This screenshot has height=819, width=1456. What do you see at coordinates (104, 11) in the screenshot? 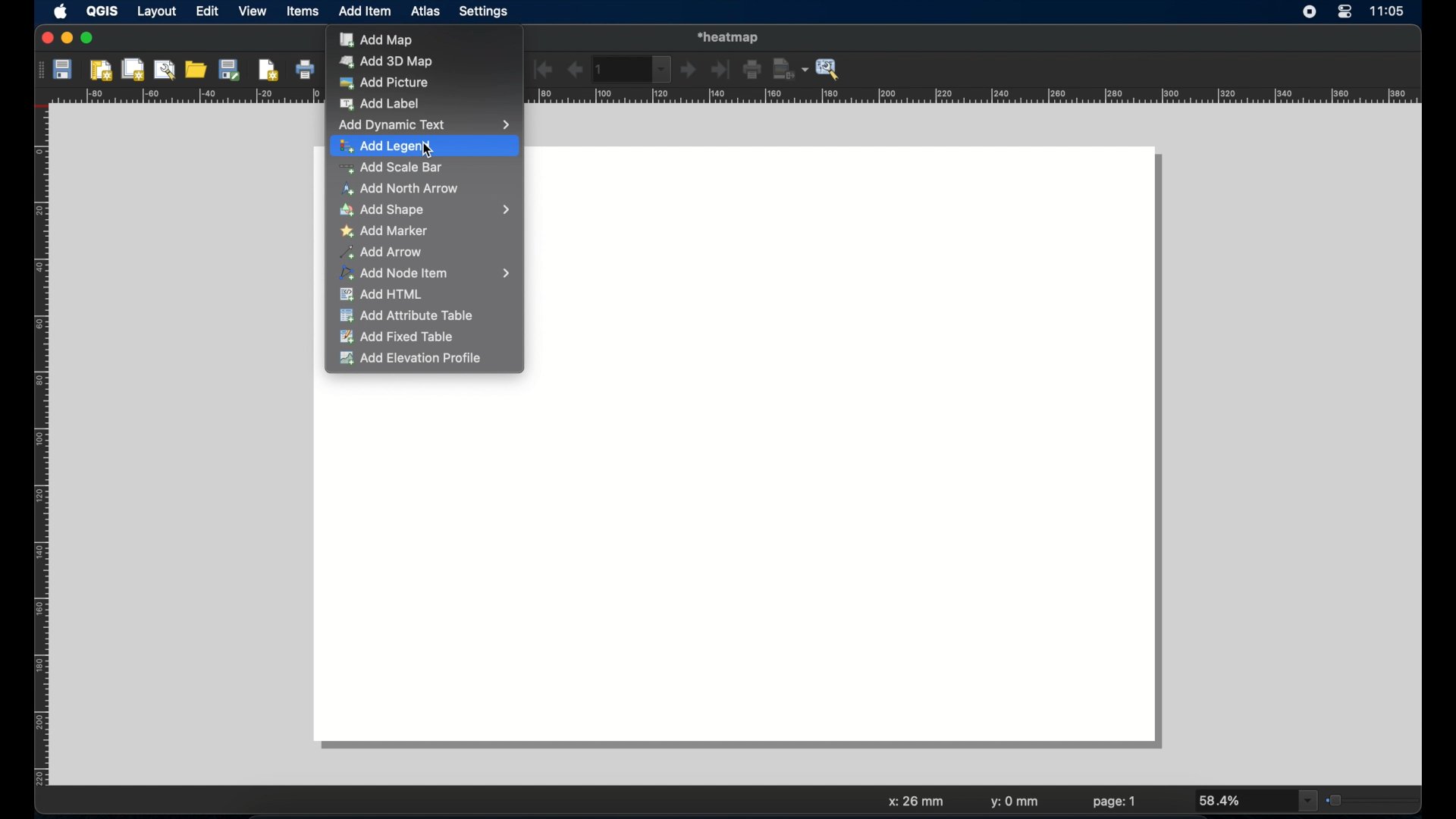
I see `QGIS` at bounding box center [104, 11].